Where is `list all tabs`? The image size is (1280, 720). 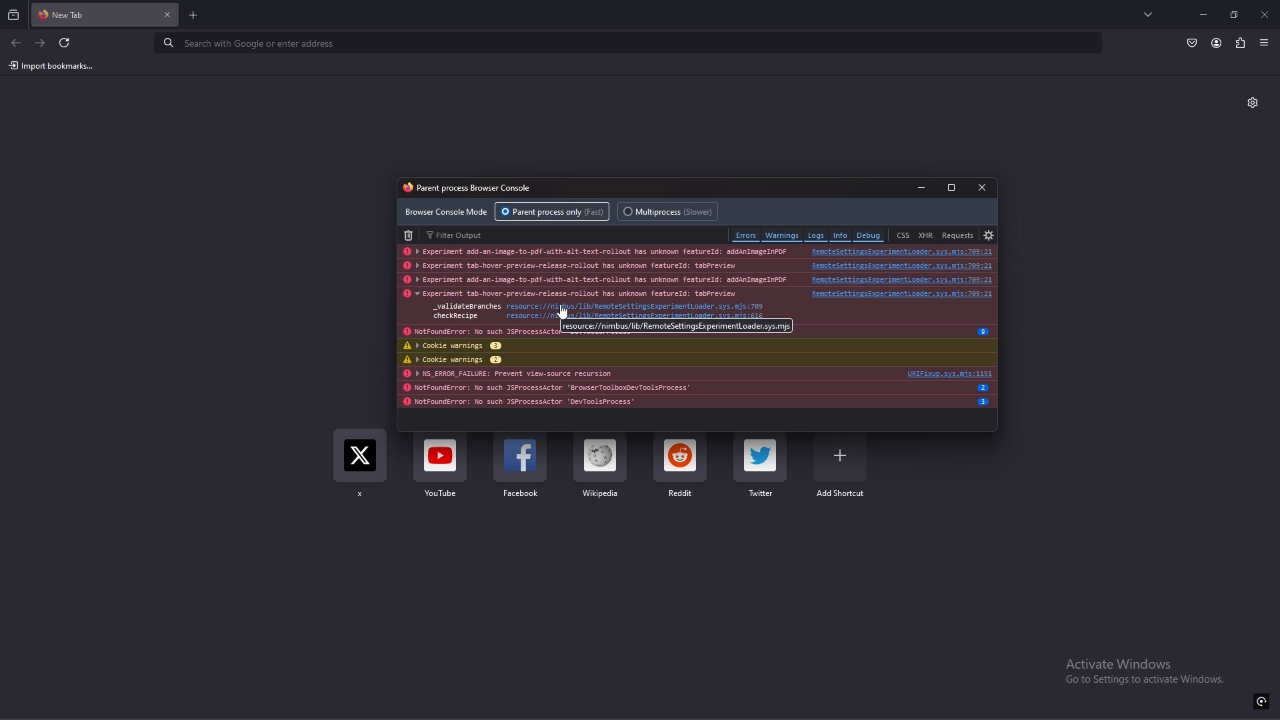
list all tabs is located at coordinates (1150, 16).